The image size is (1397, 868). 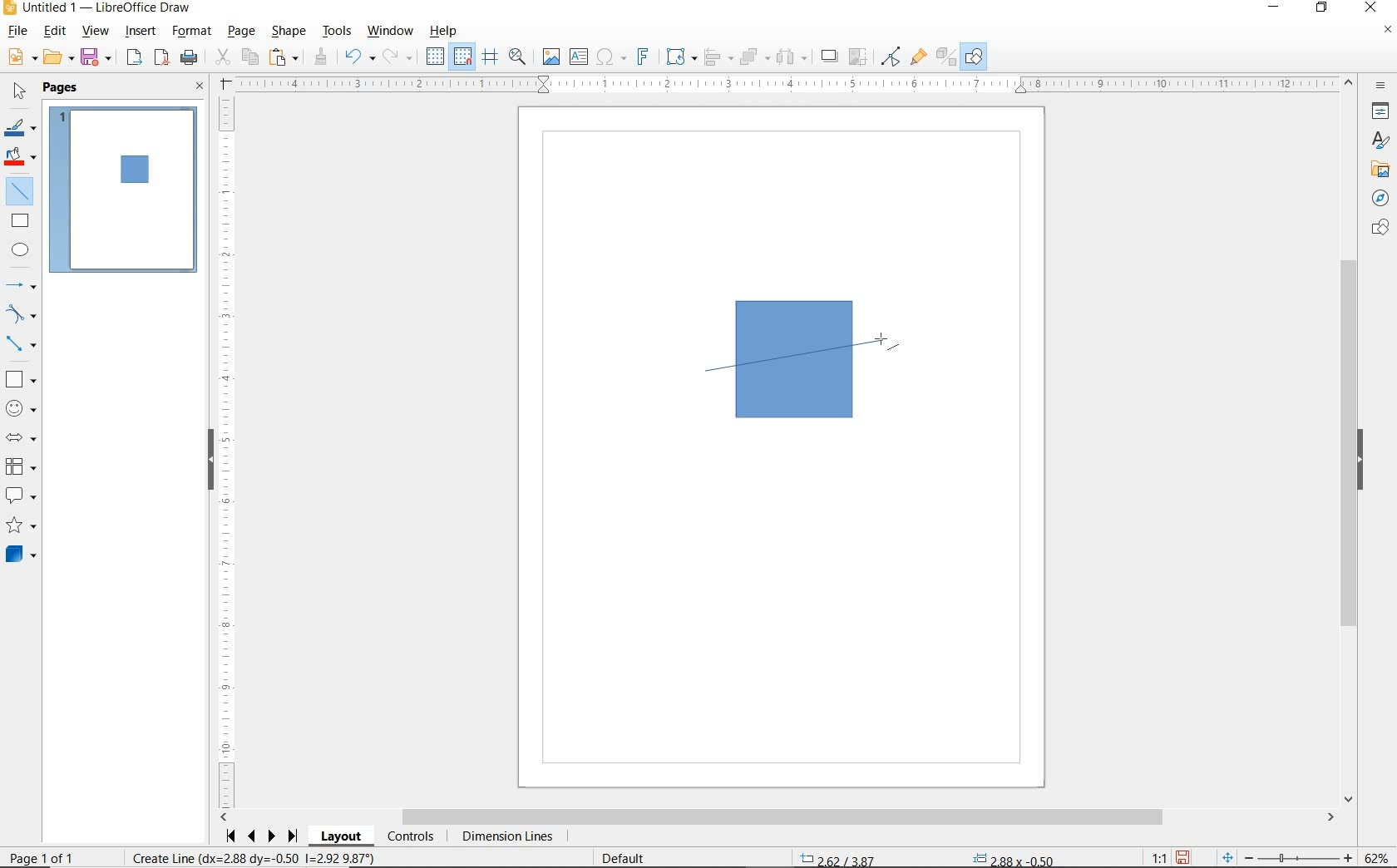 What do you see at coordinates (360, 58) in the screenshot?
I see `UNDO` at bounding box center [360, 58].